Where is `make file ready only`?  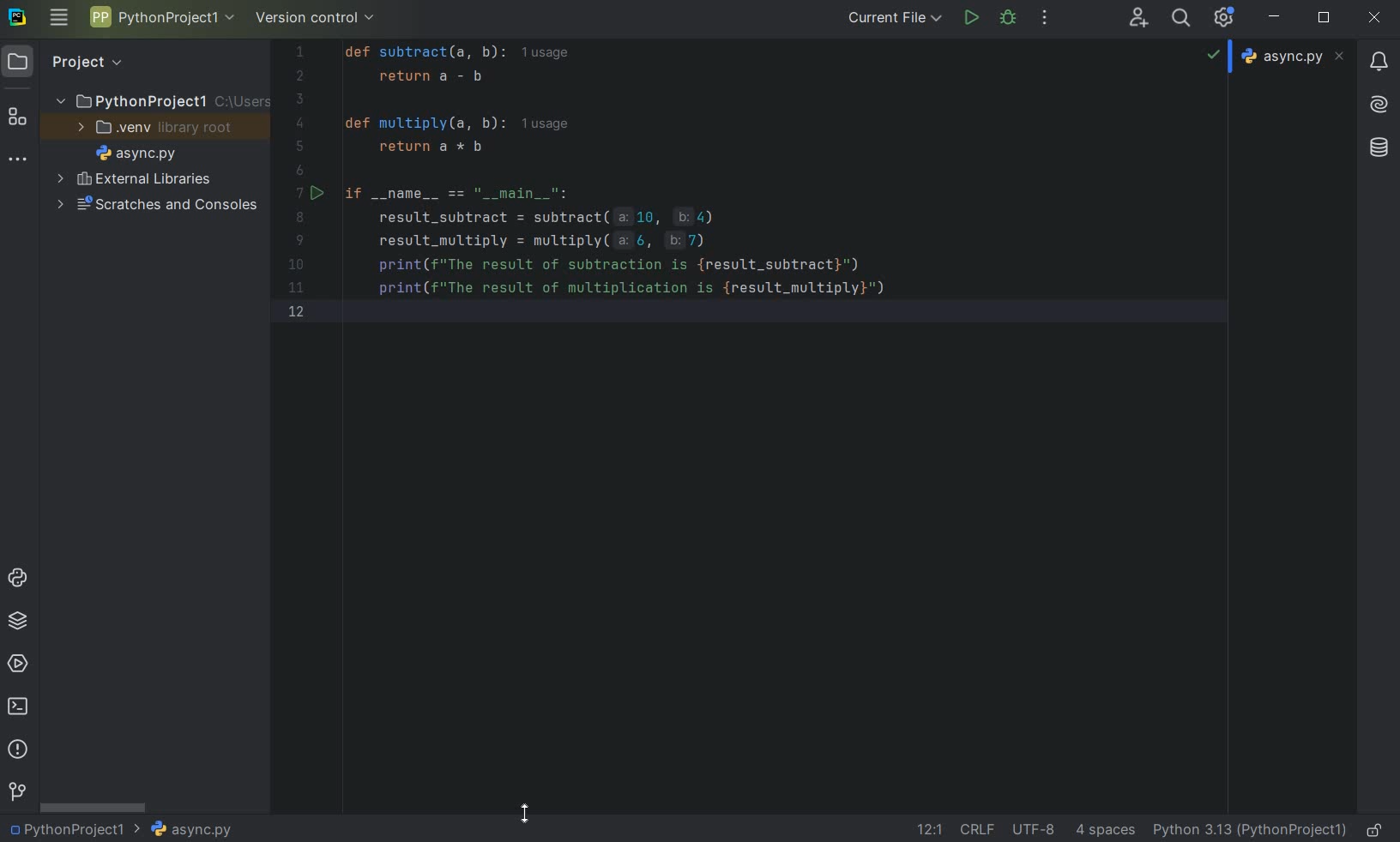
make file ready only is located at coordinates (1378, 830).